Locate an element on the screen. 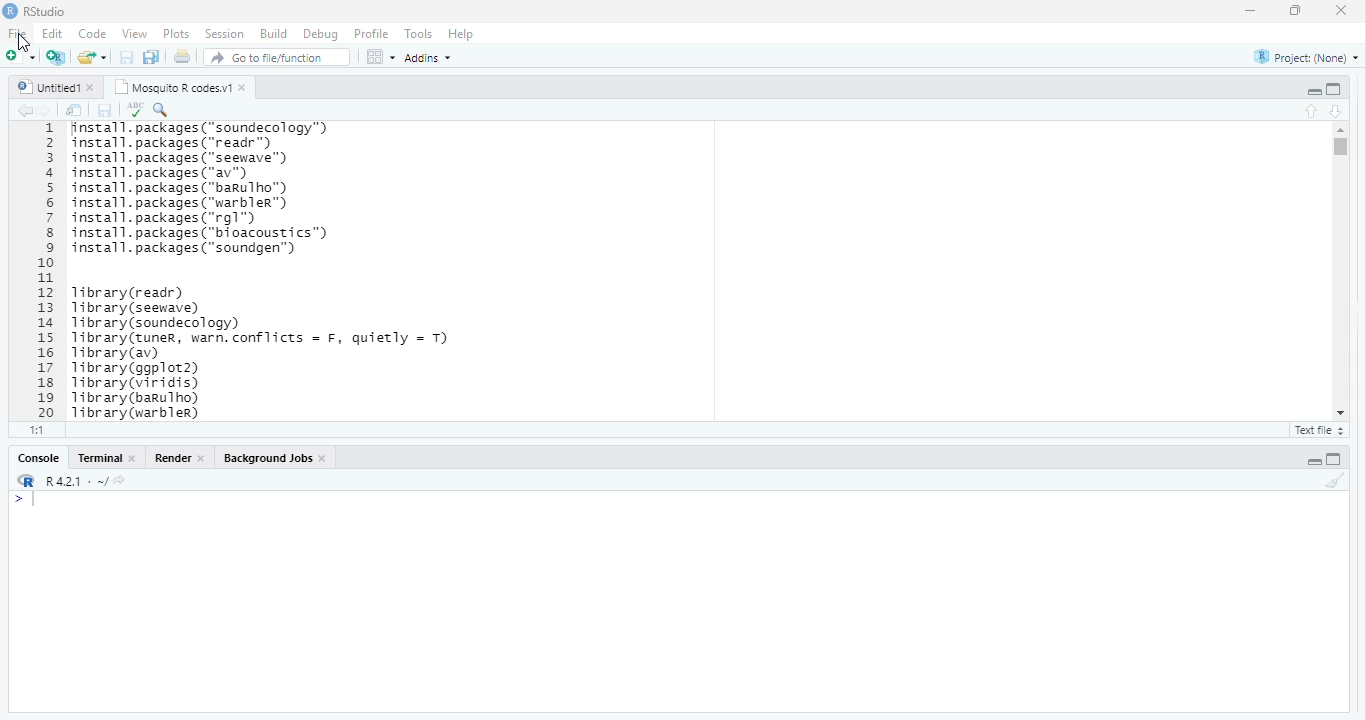  Debug is located at coordinates (323, 35).